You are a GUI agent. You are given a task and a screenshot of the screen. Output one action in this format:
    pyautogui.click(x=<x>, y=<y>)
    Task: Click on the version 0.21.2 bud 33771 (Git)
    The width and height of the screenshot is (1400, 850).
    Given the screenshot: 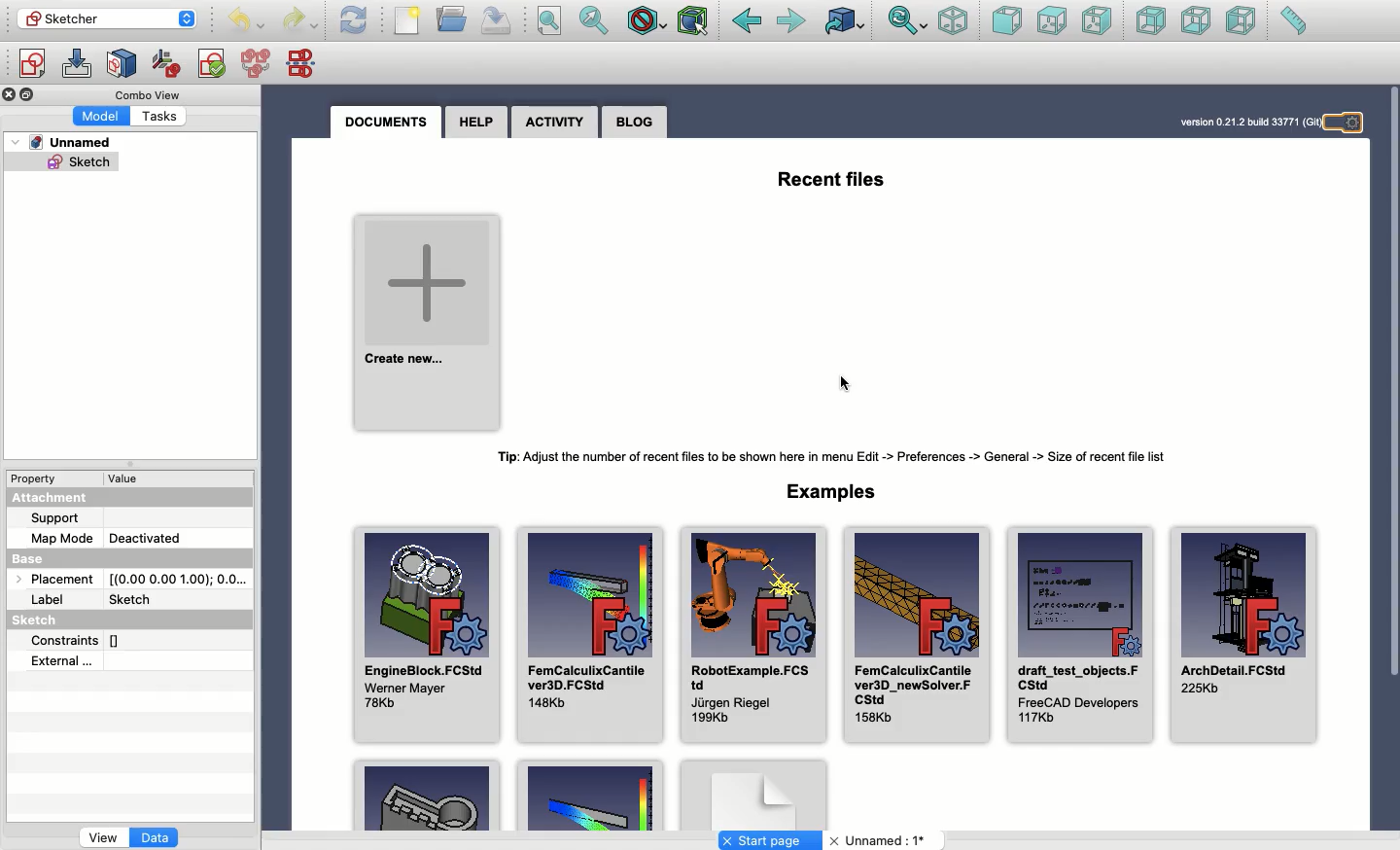 What is the action you would take?
    pyautogui.click(x=1246, y=121)
    